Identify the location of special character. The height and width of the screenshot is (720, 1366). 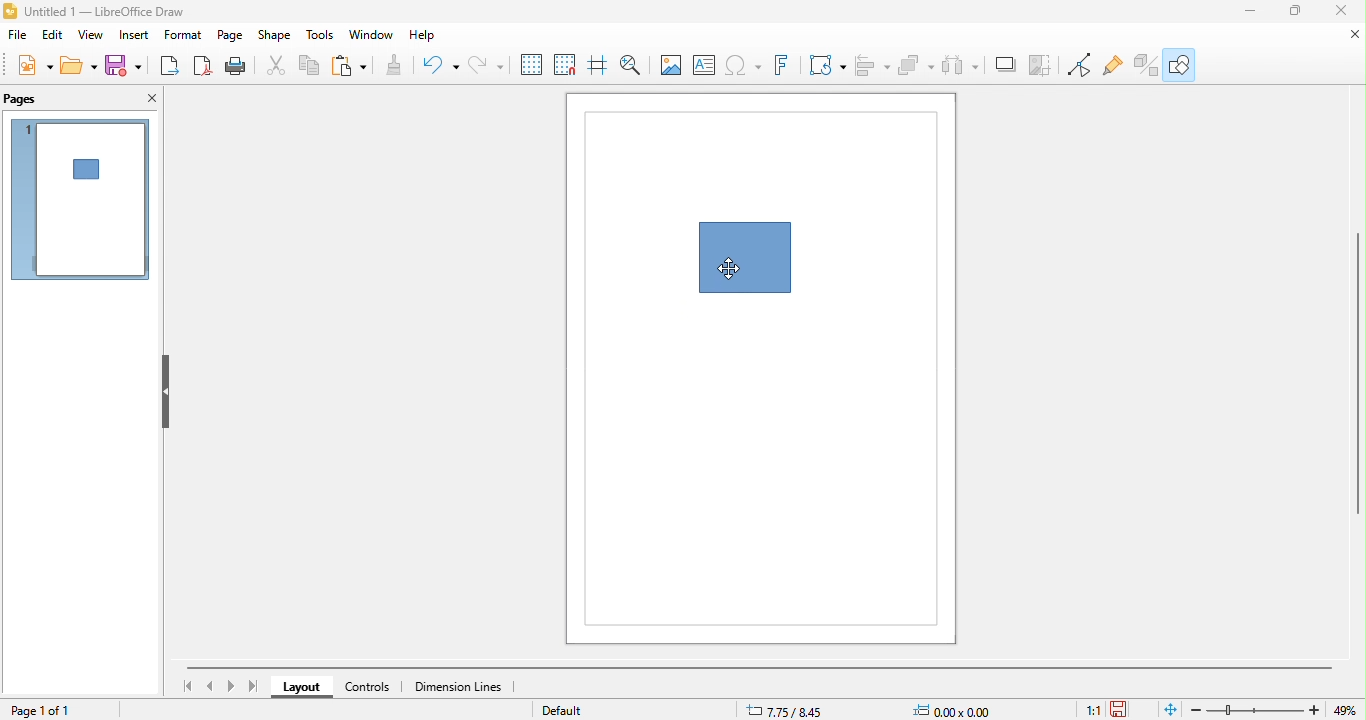
(745, 66).